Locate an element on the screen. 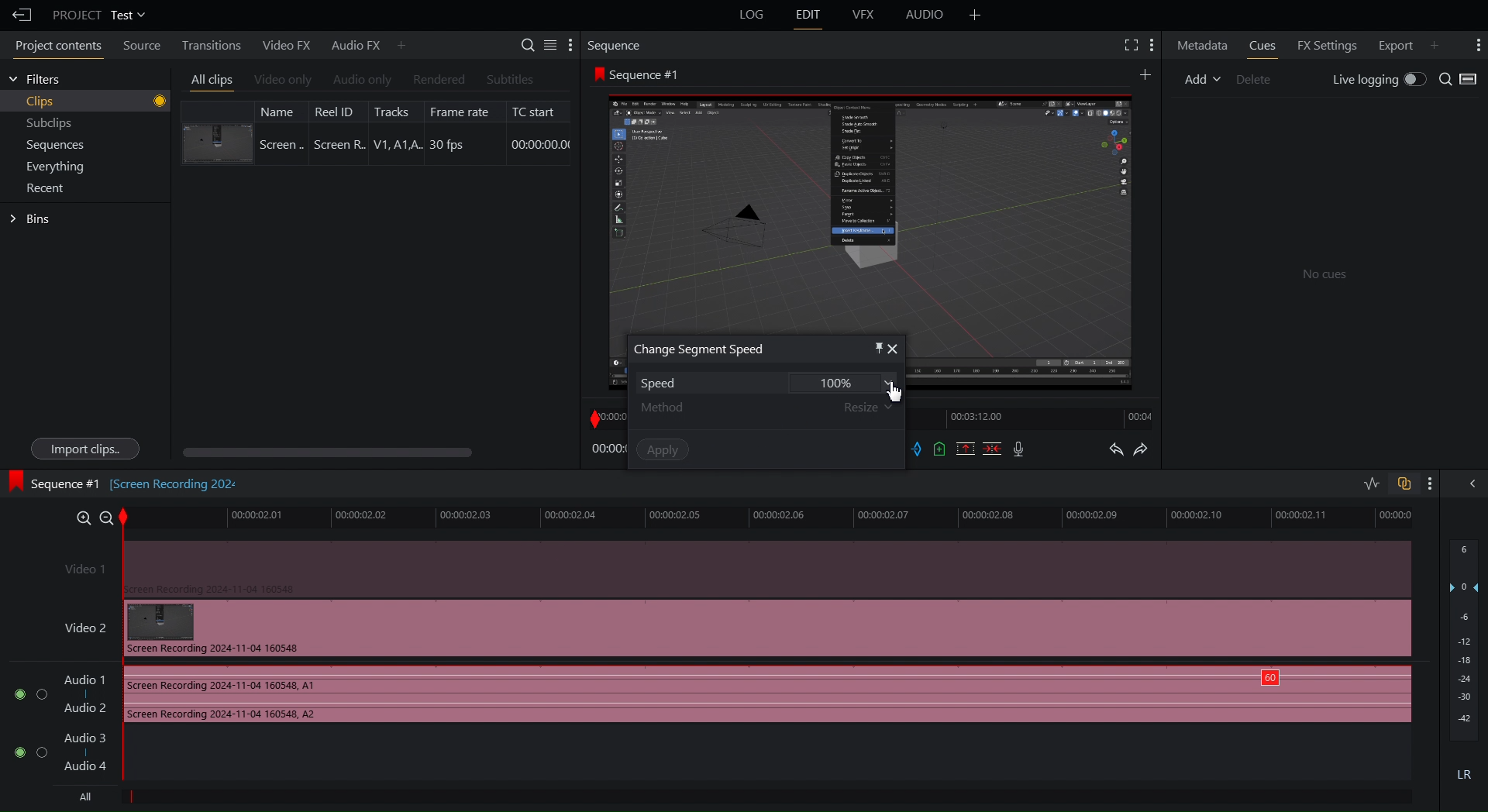 The image size is (1488, 812). Cursor is located at coordinates (901, 389).